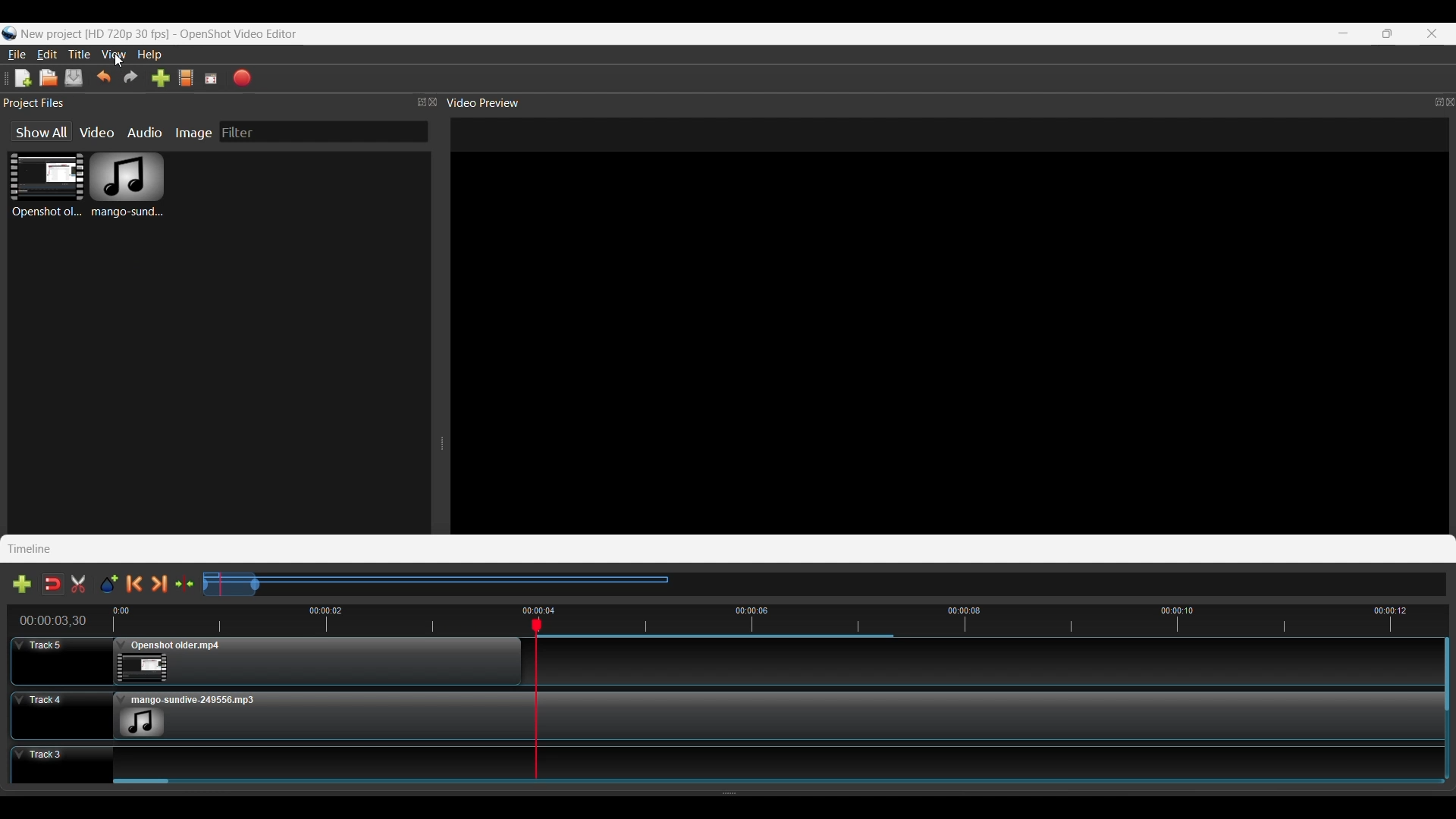 The height and width of the screenshot is (819, 1456). What do you see at coordinates (731, 620) in the screenshot?
I see `Timeline Preview` at bounding box center [731, 620].